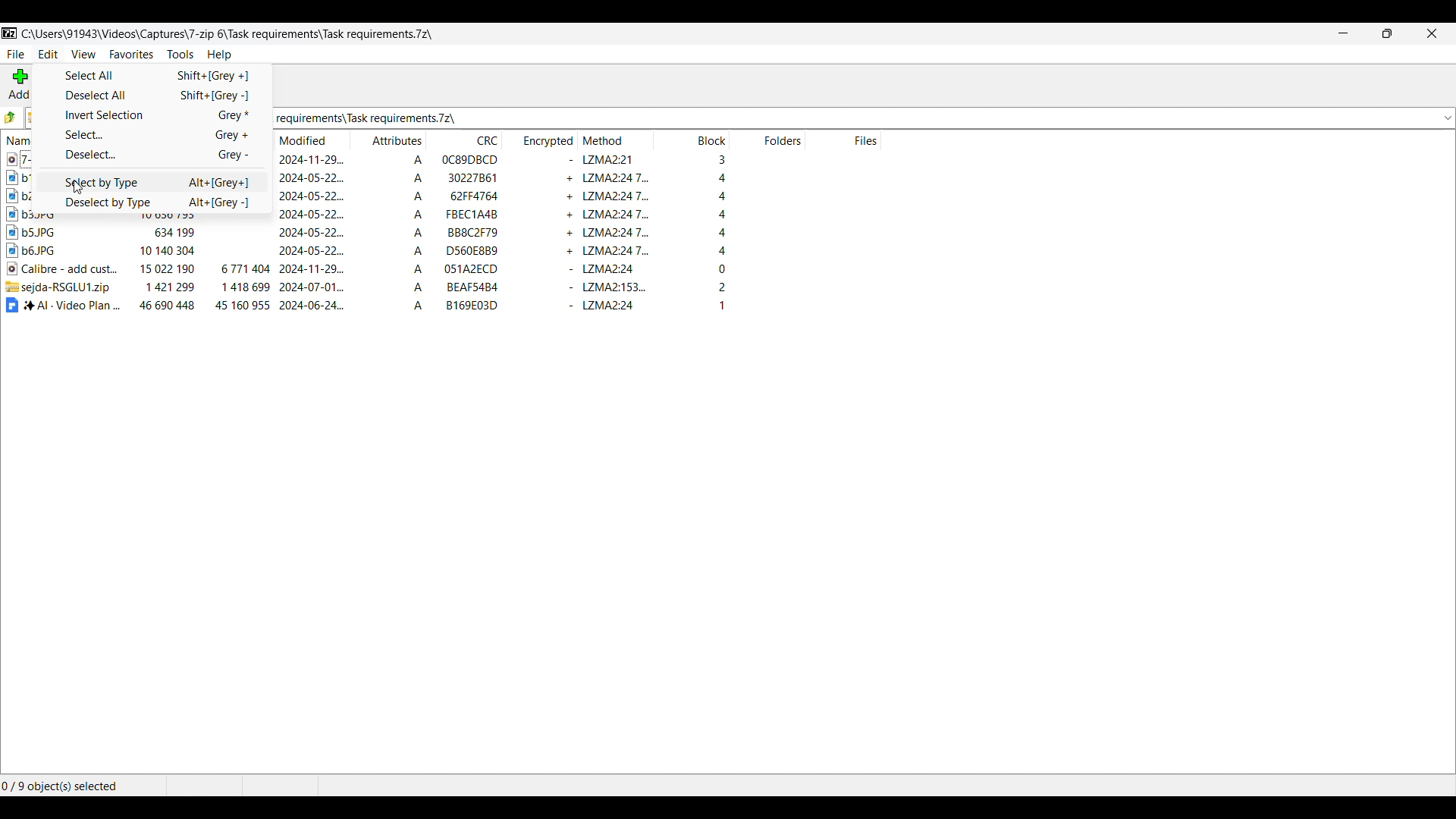  I want to click on Select all, so click(152, 75).